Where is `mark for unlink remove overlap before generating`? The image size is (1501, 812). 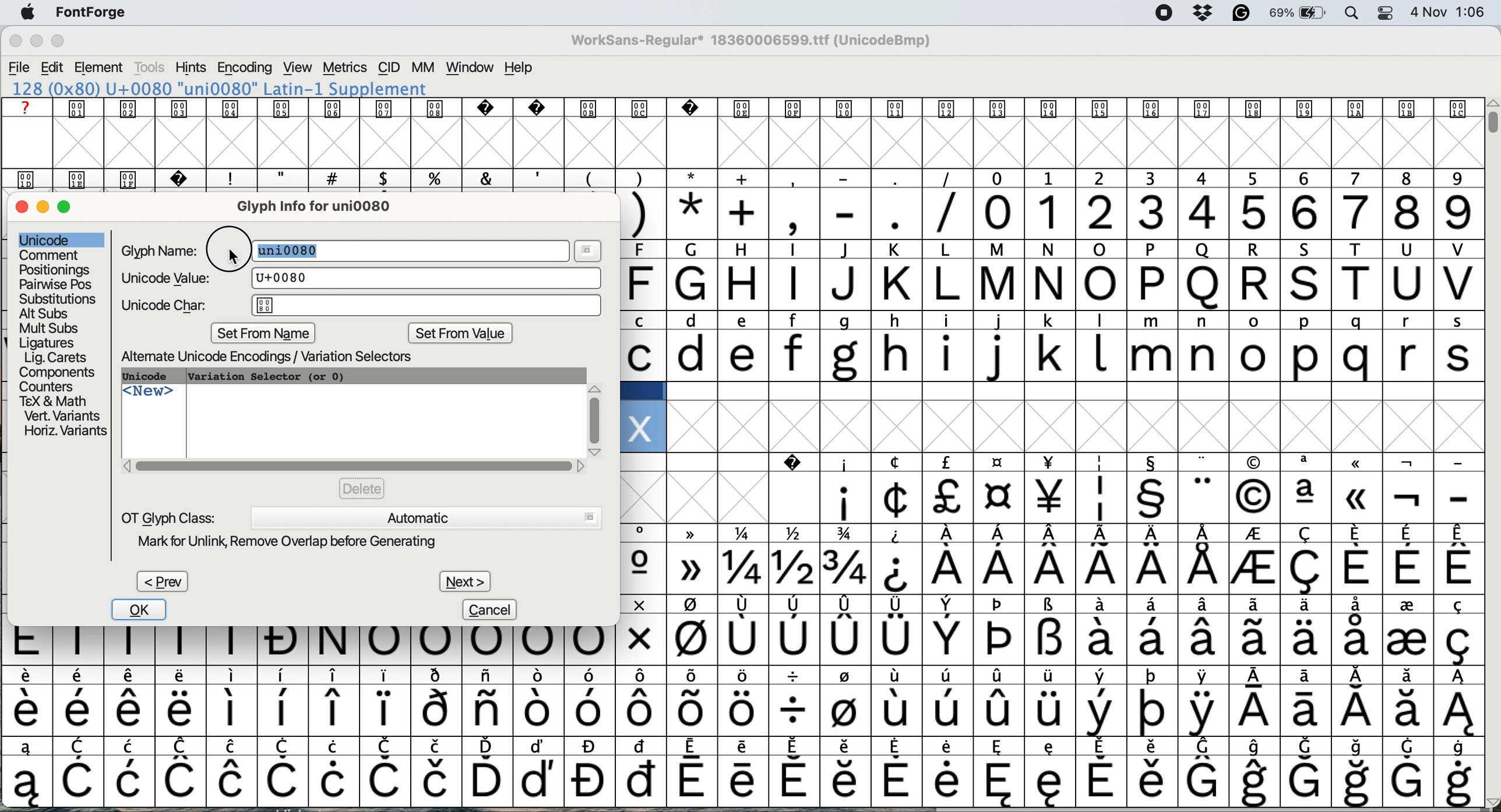 mark for unlink remove overlap before generating is located at coordinates (300, 543).